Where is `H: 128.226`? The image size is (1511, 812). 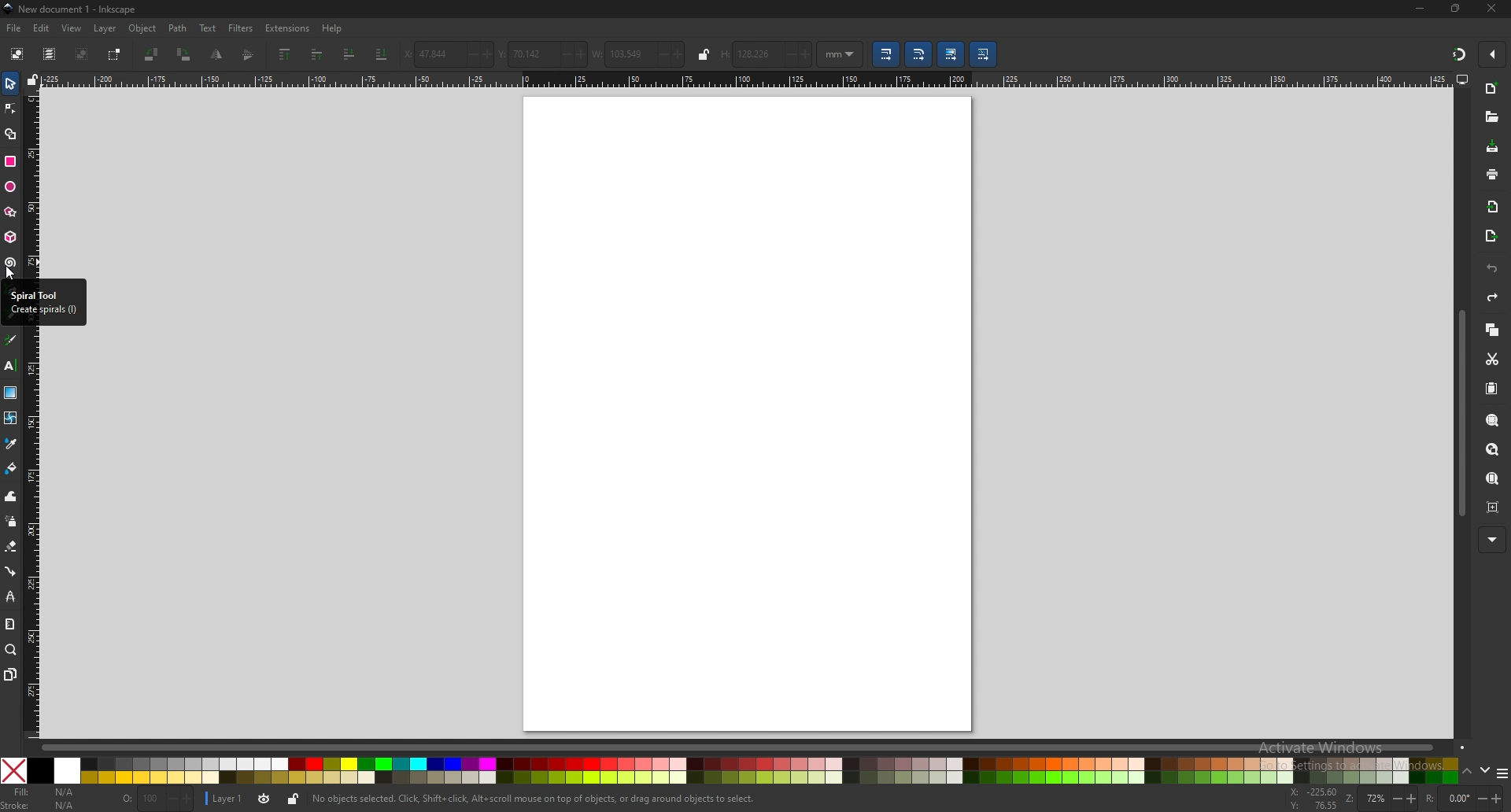 H: 128.226 is located at coordinates (766, 52).